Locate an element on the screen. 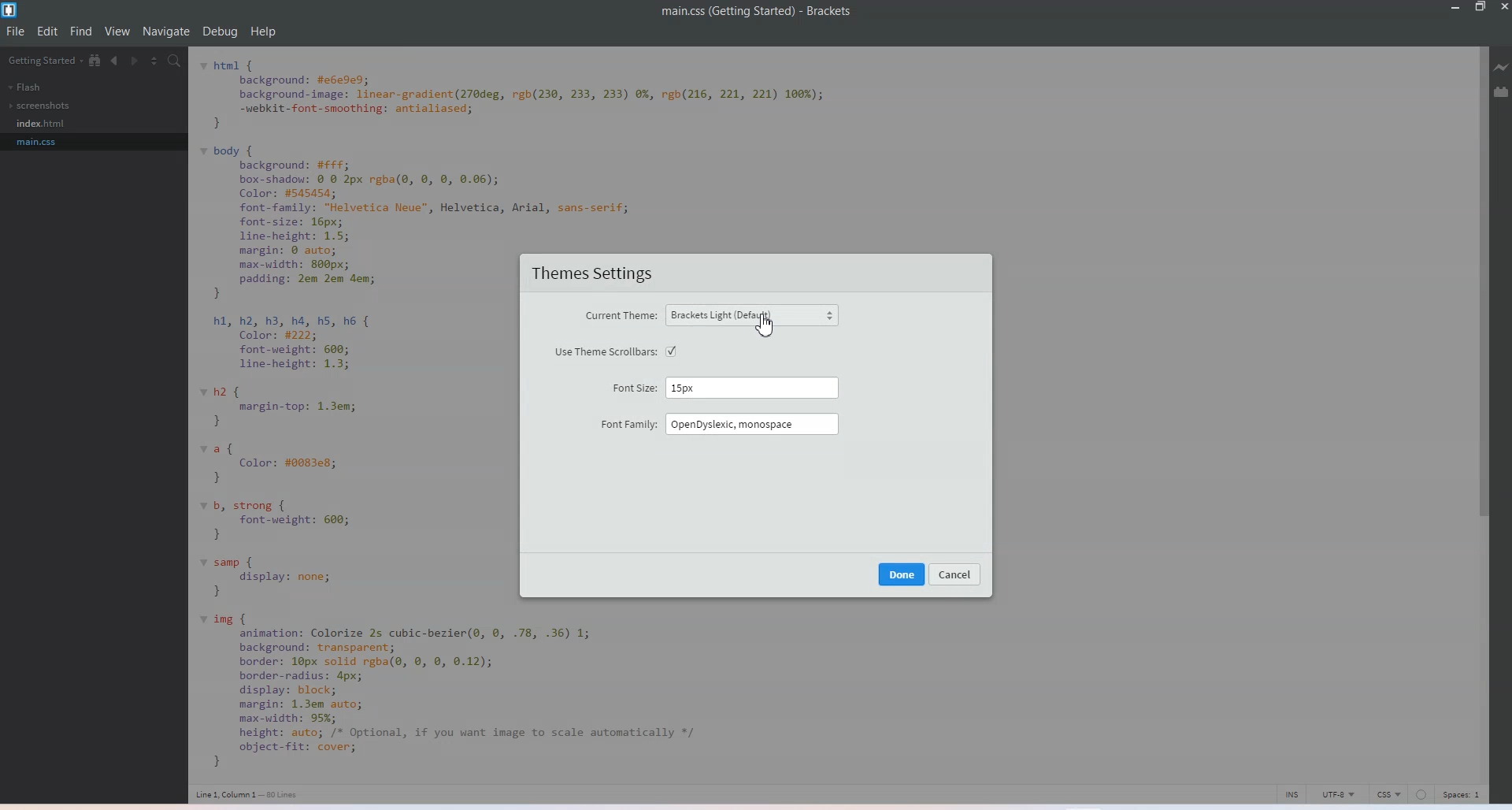 This screenshot has height=810, width=1512. OpenDyslexic, monospace is located at coordinates (754, 424).